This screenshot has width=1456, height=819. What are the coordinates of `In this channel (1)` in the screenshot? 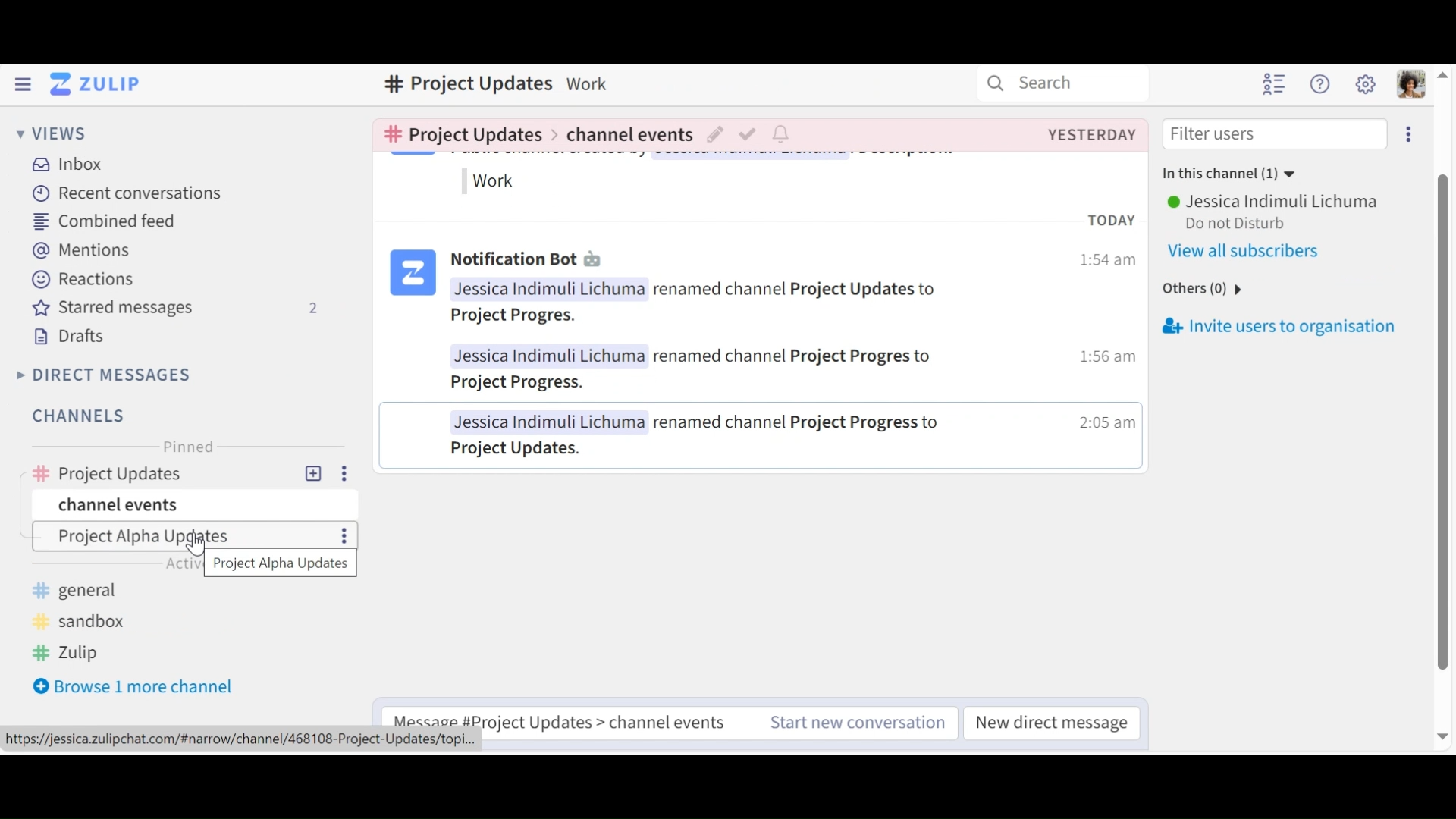 It's located at (1223, 174).